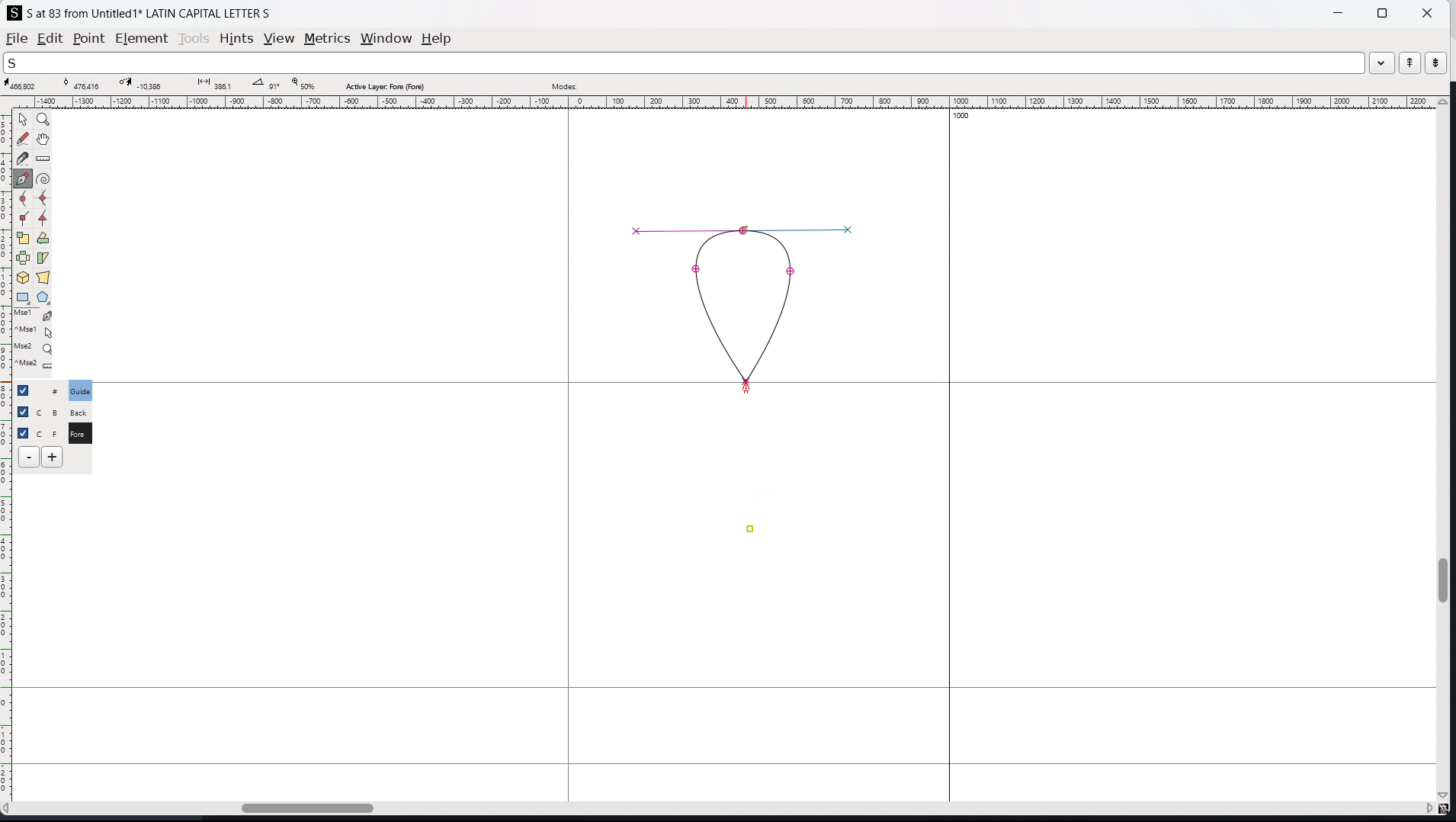  I want to click on polygon and stars, so click(44, 298).